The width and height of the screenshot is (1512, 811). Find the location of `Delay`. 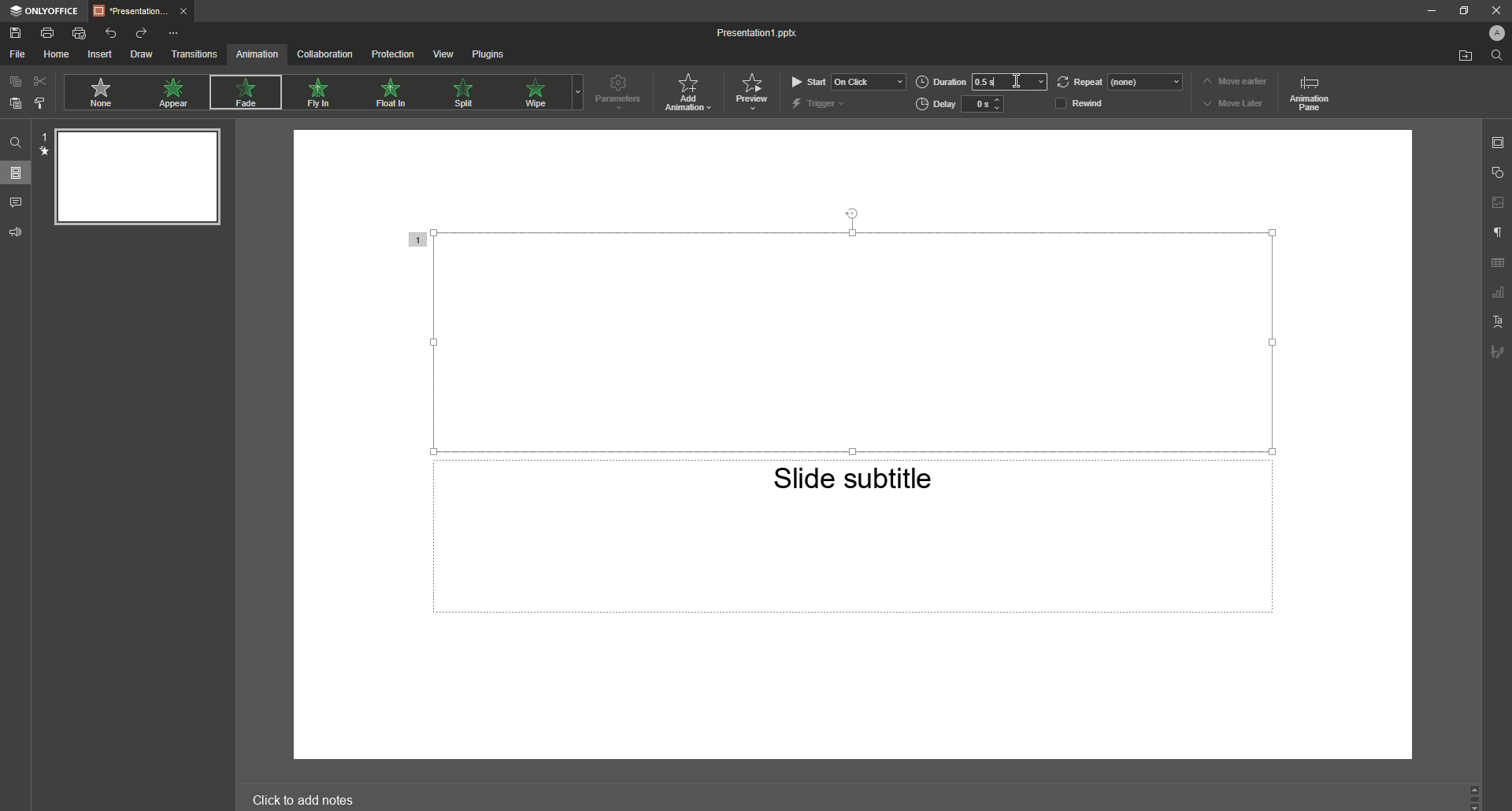

Delay is located at coordinates (962, 105).